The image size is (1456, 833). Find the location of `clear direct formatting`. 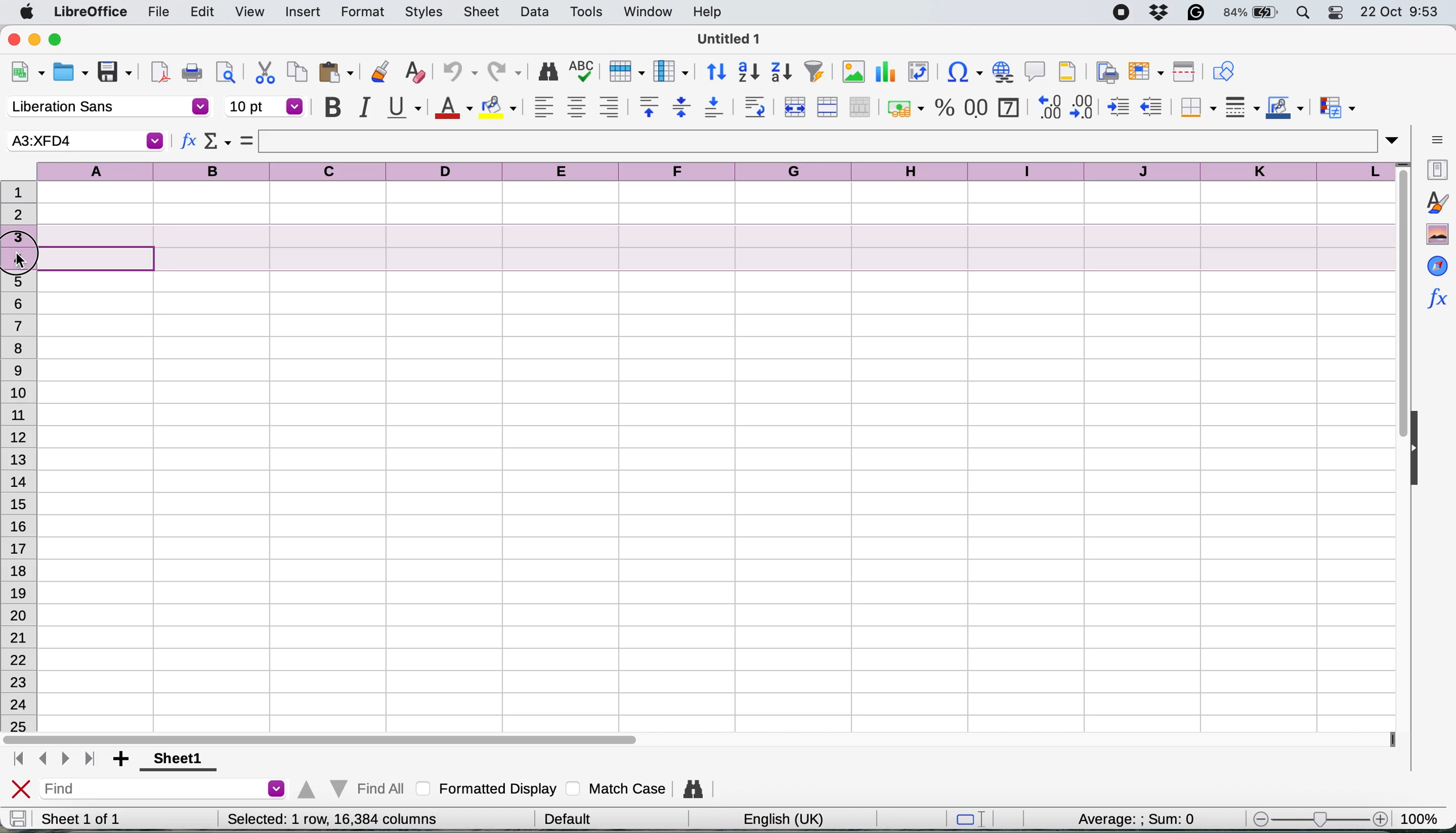

clear direct formatting is located at coordinates (415, 73).